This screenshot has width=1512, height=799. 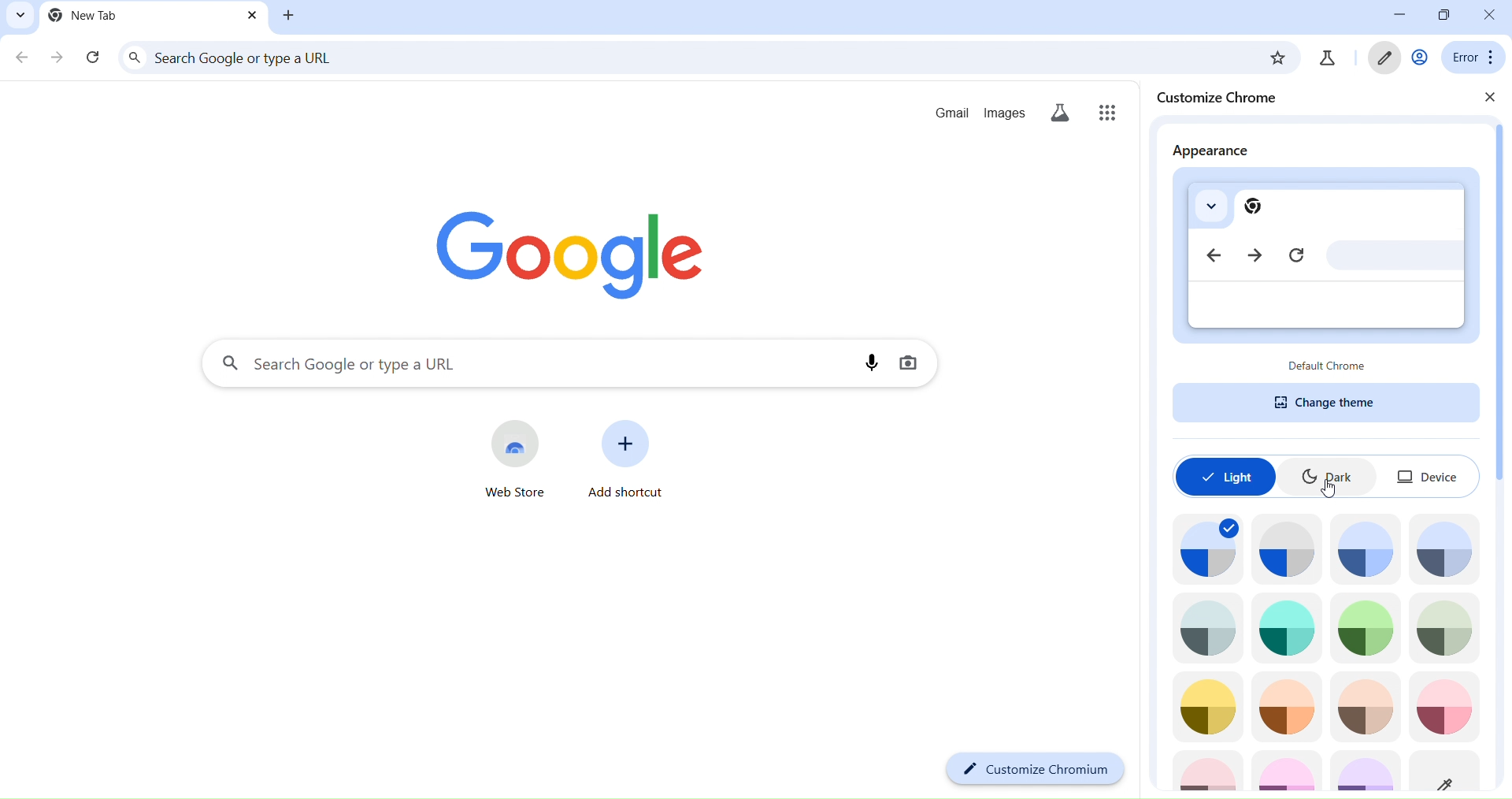 I want to click on reload page, so click(x=95, y=59).